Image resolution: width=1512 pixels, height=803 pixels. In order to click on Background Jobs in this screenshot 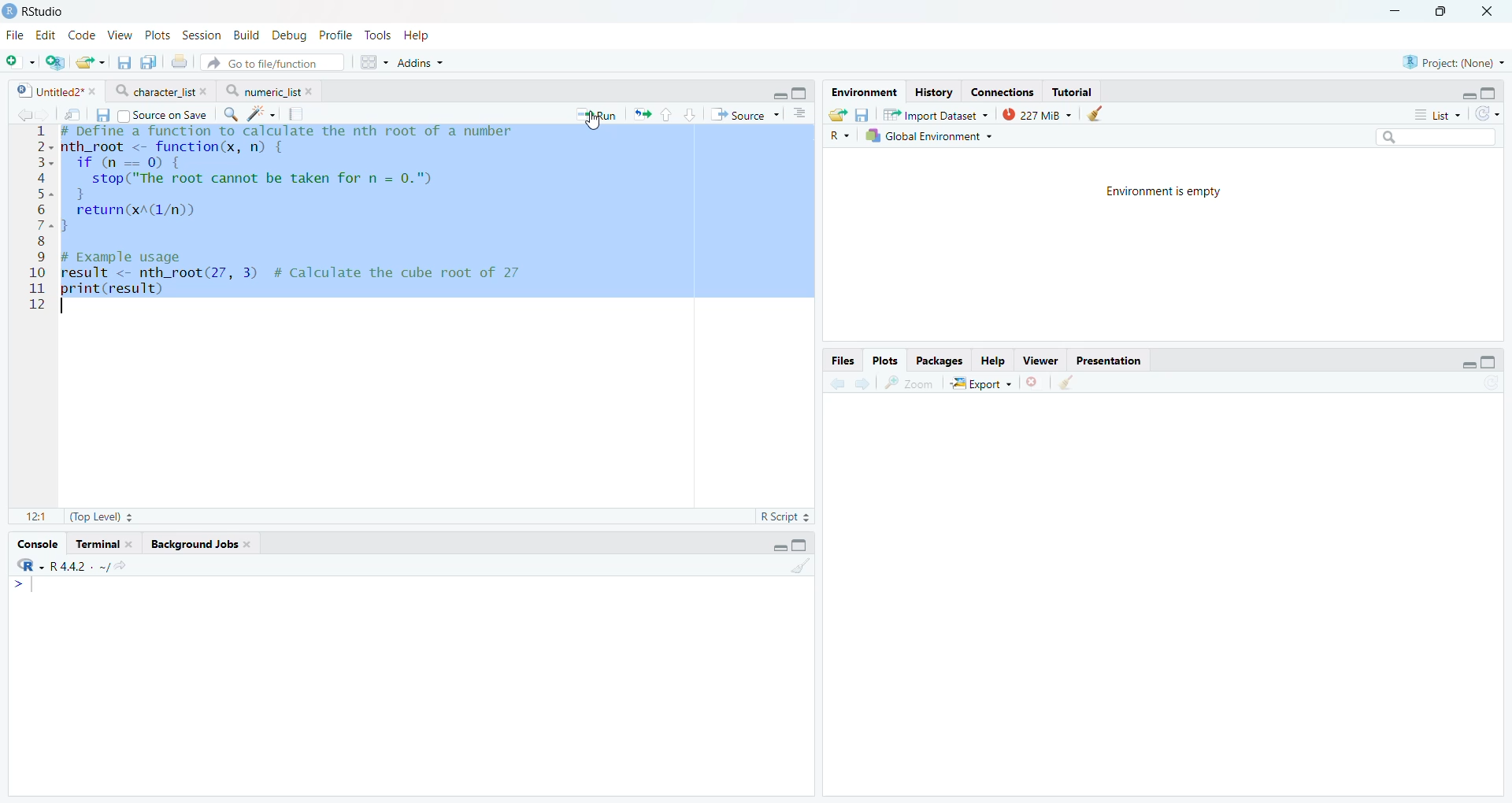, I will do `click(202, 542)`.